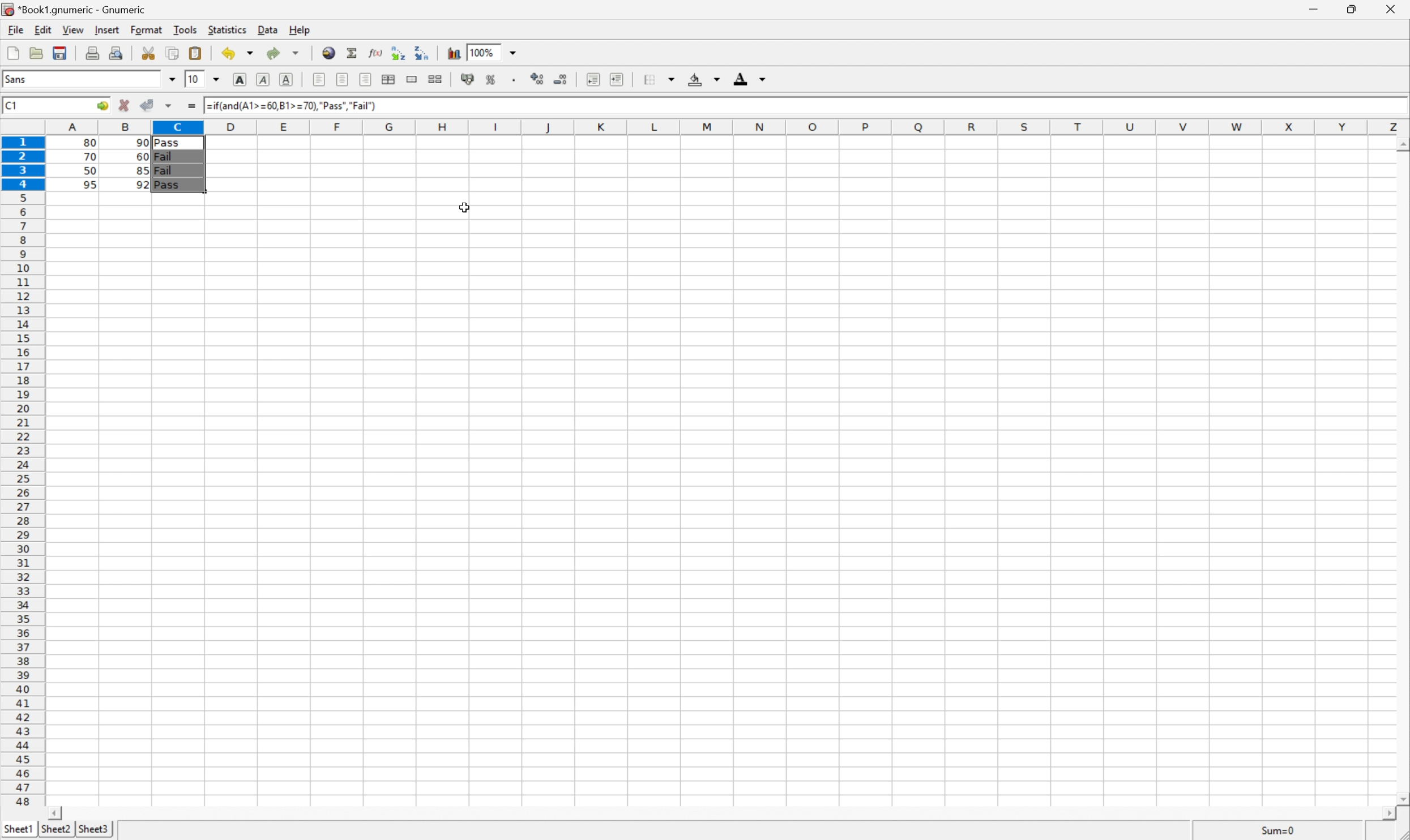  What do you see at coordinates (467, 79) in the screenshot?
I see `Format the selection as accounting` at bounding box center [467, 79].